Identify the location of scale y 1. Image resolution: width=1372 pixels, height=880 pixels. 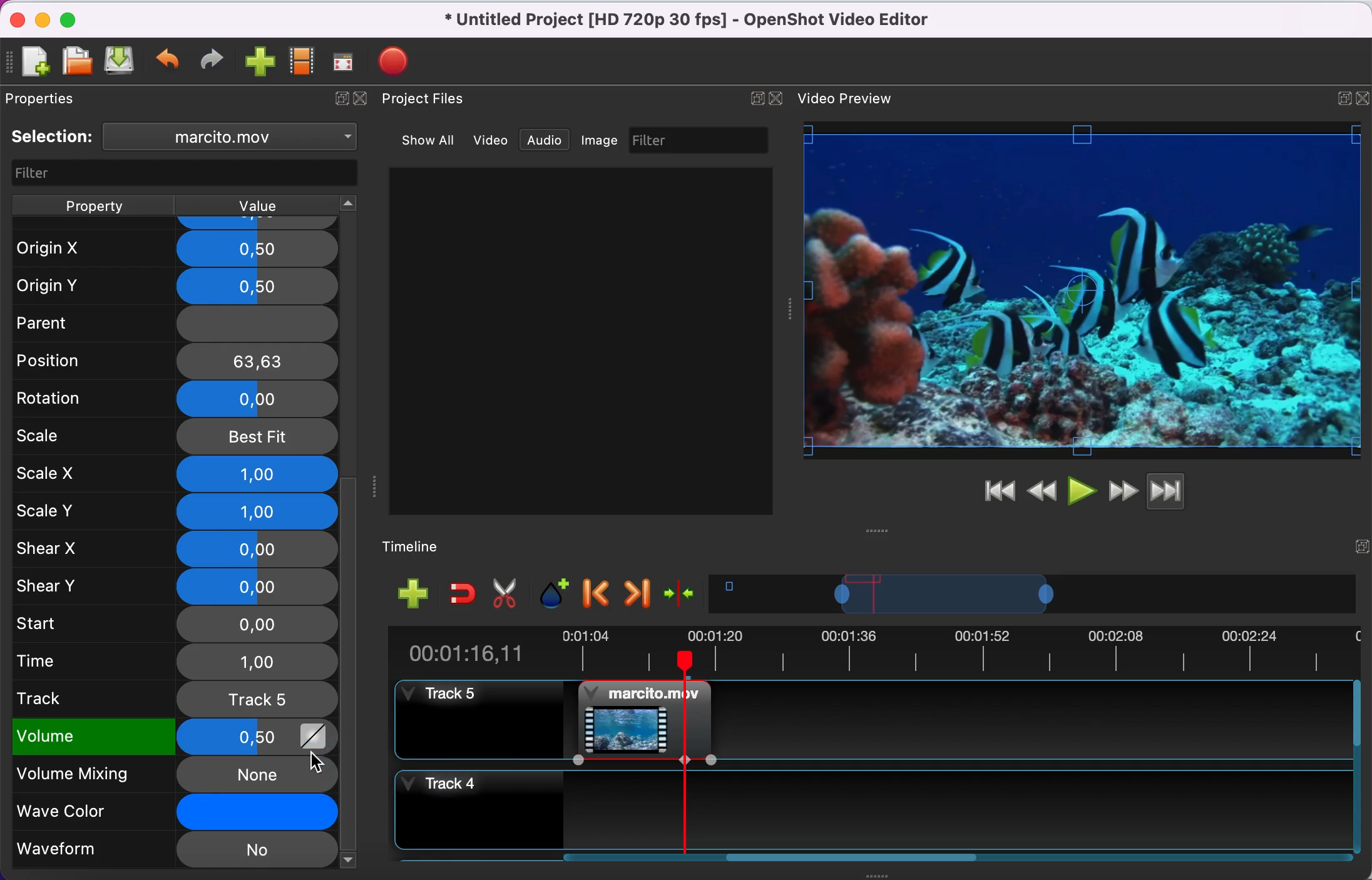
(176, 511).